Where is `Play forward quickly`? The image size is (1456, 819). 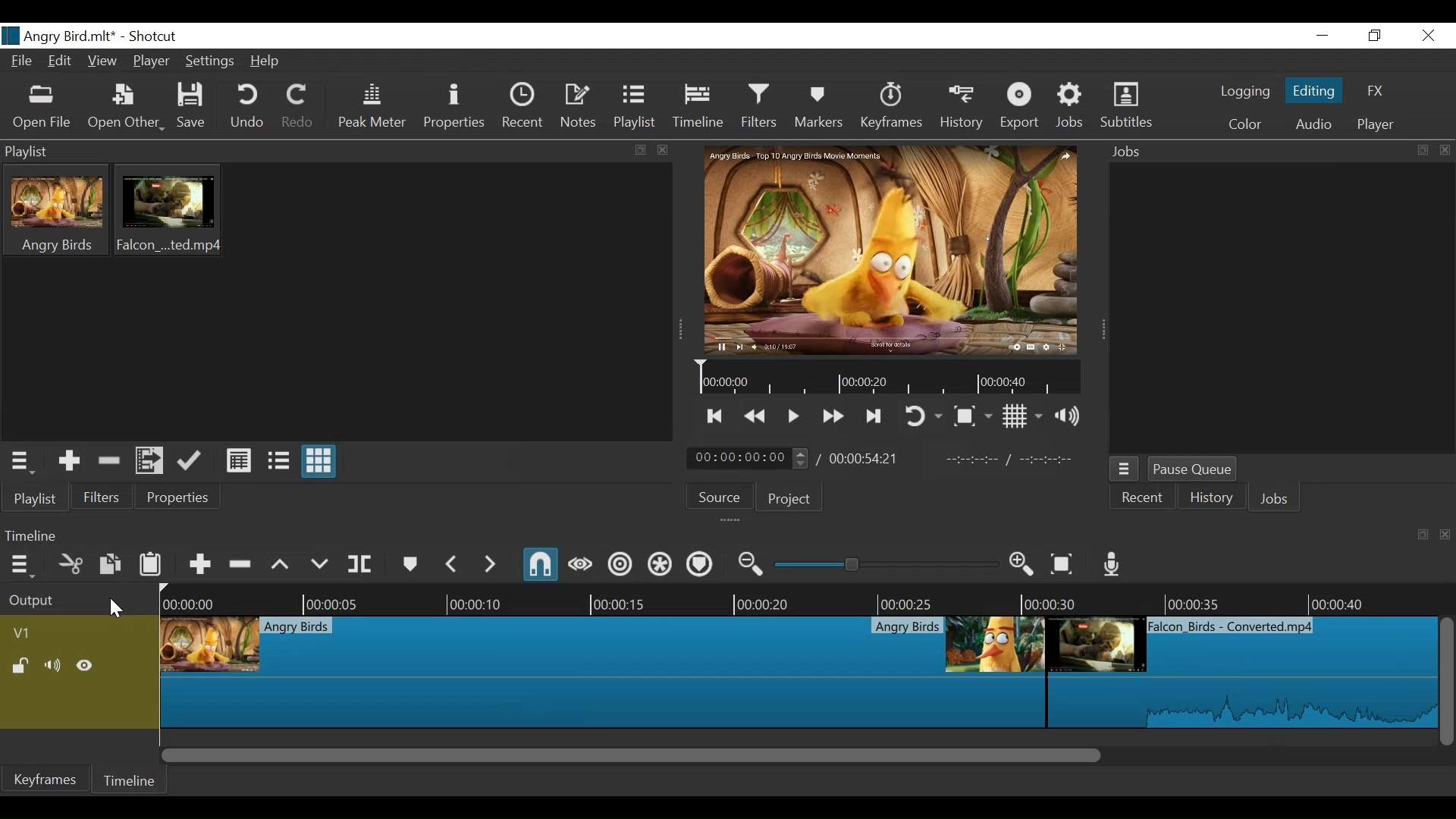
Play forward quickly is located at coordinates (833, 415).